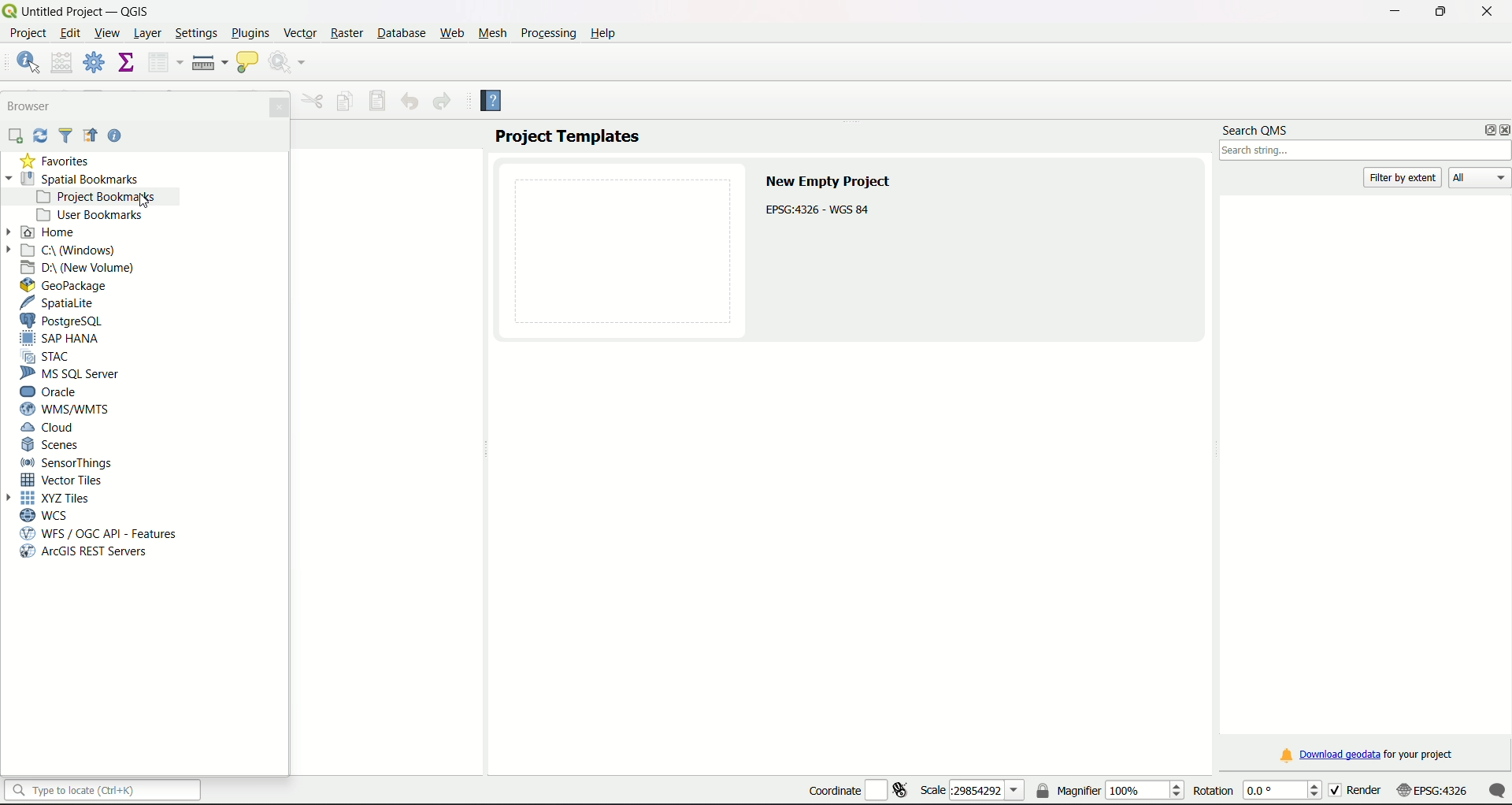 The width and height of the screenshot is (1512, 805). I want to click on Scenes, so click(53, 446).